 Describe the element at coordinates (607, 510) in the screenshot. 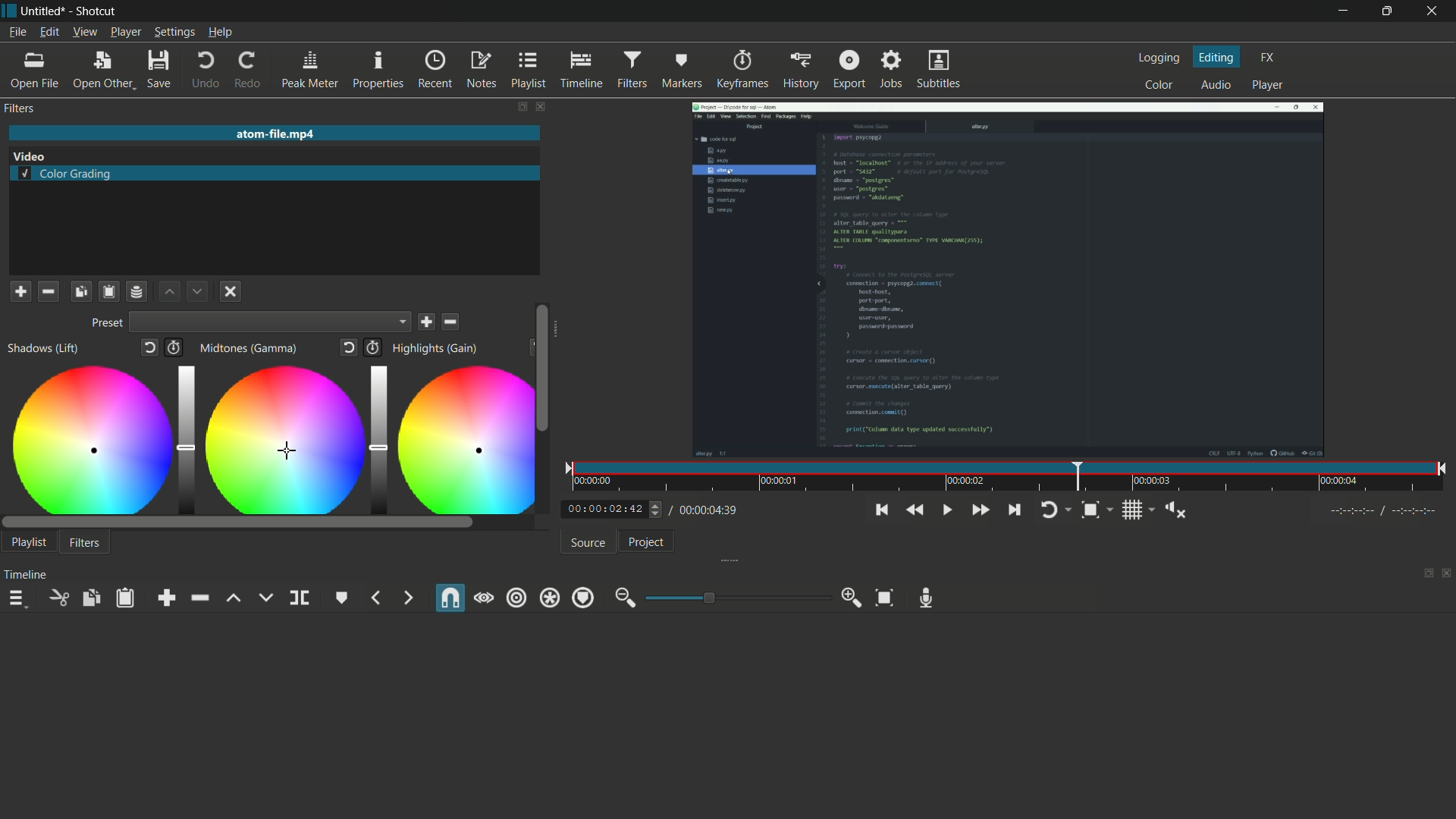

I see `current itme` at that location.